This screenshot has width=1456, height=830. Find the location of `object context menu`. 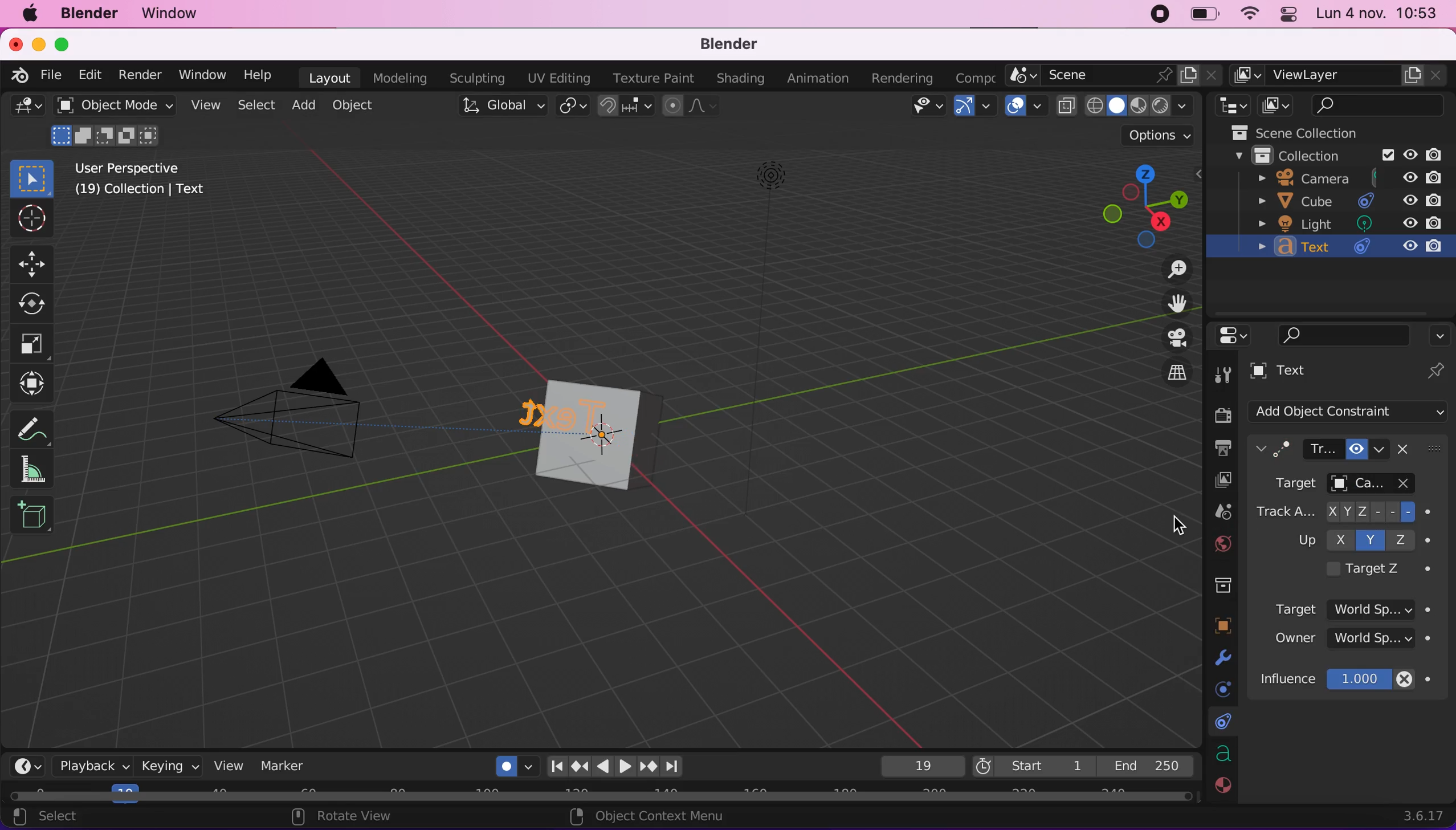

object context menu is located at coordinates (655, 817).